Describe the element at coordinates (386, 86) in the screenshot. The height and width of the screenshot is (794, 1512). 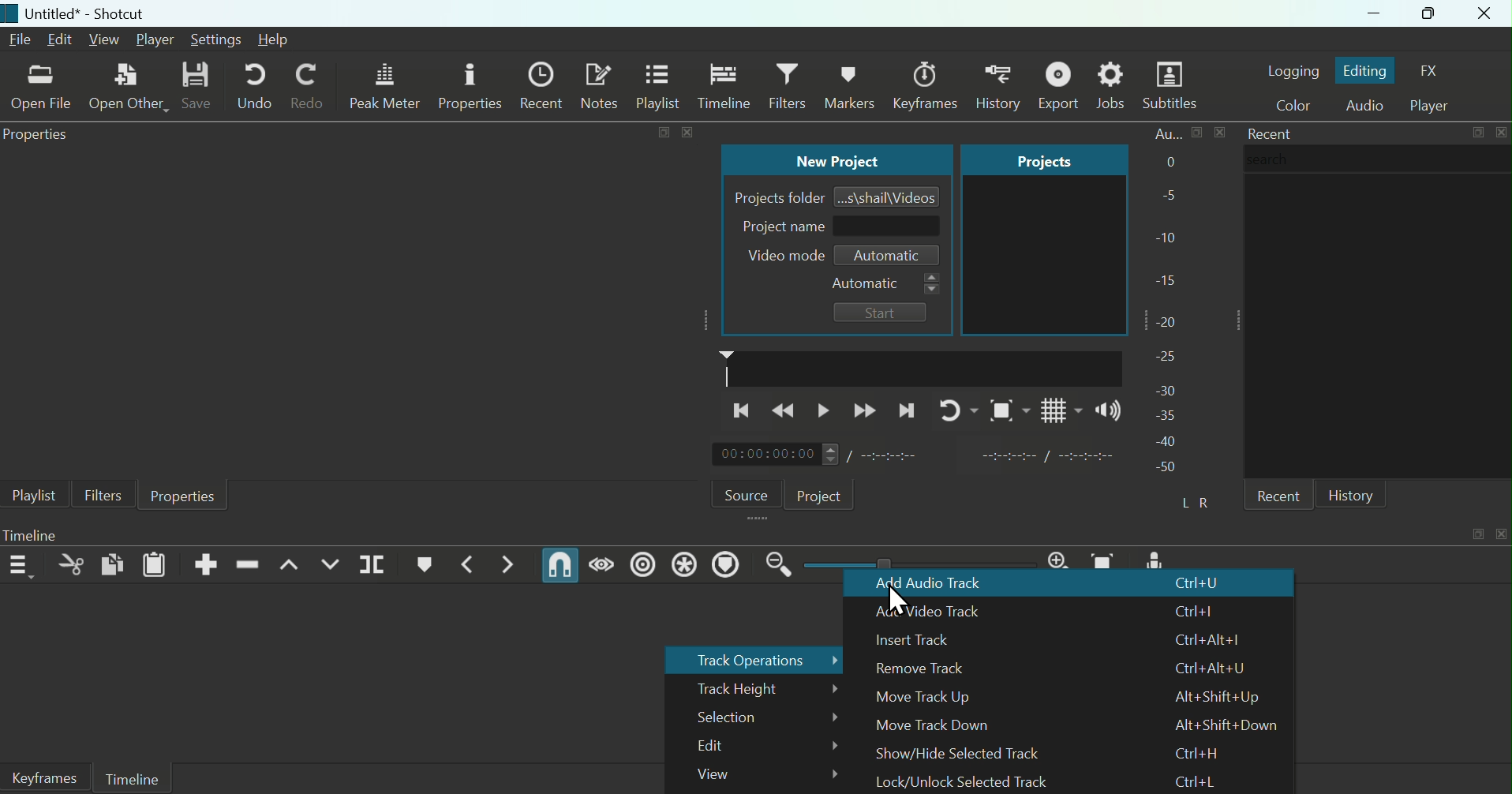
I see `Peak Meter` at that location.